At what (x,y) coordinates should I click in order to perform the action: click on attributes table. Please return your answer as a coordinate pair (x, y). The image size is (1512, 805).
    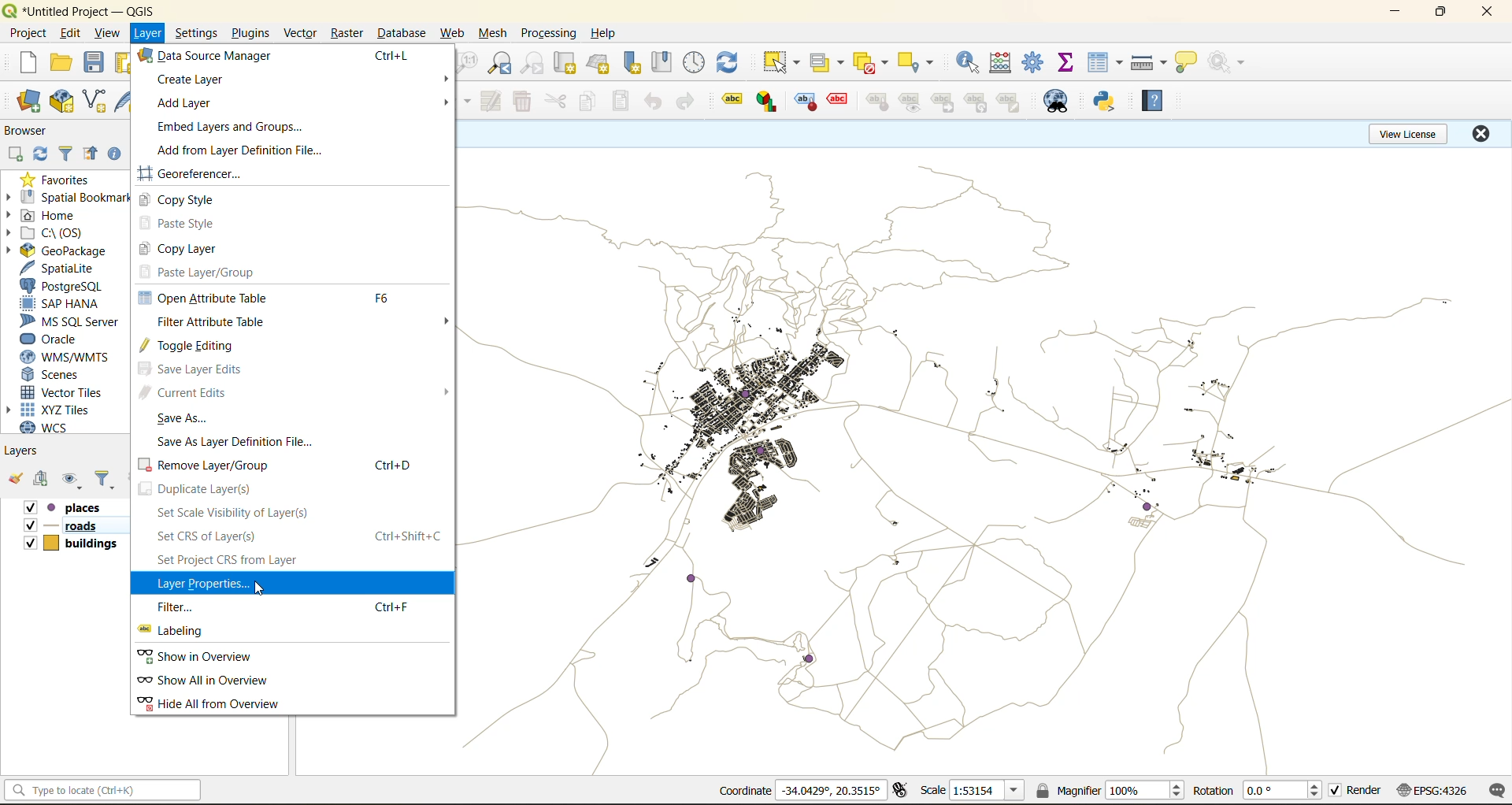
    Looking at the image, I should click on (1106, 65).